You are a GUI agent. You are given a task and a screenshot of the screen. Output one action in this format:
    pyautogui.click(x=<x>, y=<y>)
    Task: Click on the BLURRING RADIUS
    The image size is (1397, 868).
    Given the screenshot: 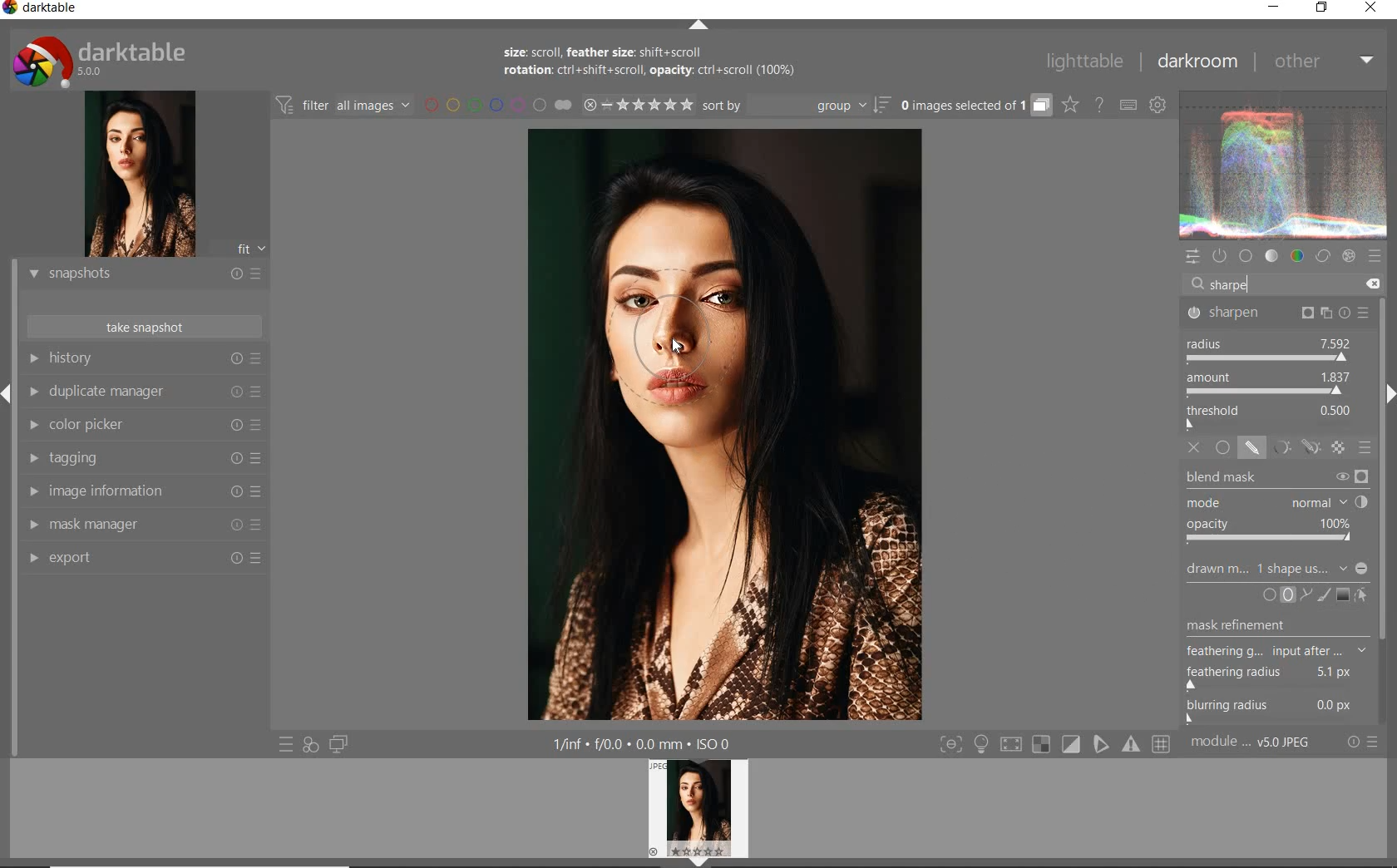 What is the action you would take?
    pyautogui.click(x=1281, y=710)
    